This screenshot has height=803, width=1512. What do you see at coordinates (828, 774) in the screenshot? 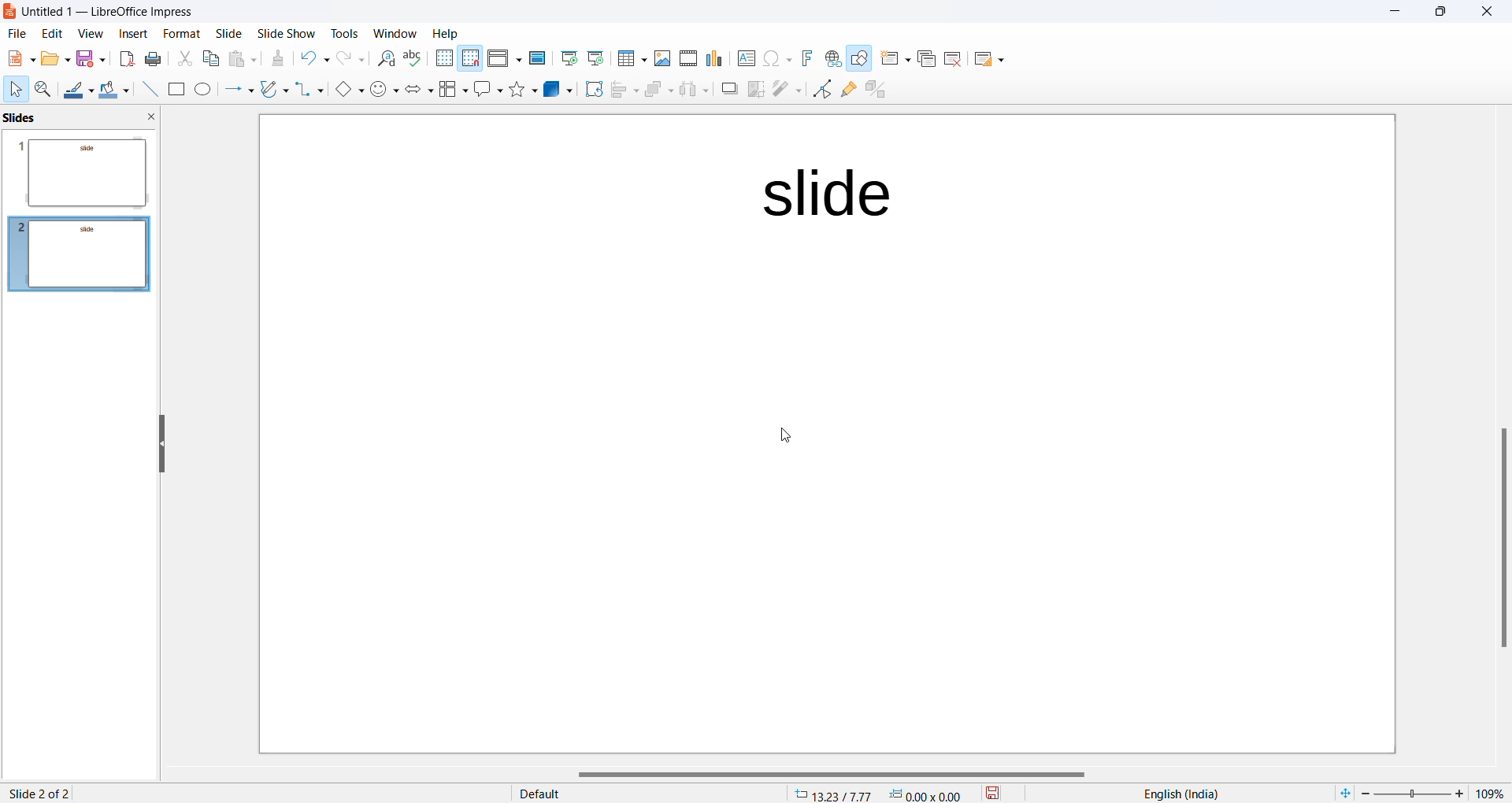
I see `horizontal scrollbar` at bounding box center [828, 774].